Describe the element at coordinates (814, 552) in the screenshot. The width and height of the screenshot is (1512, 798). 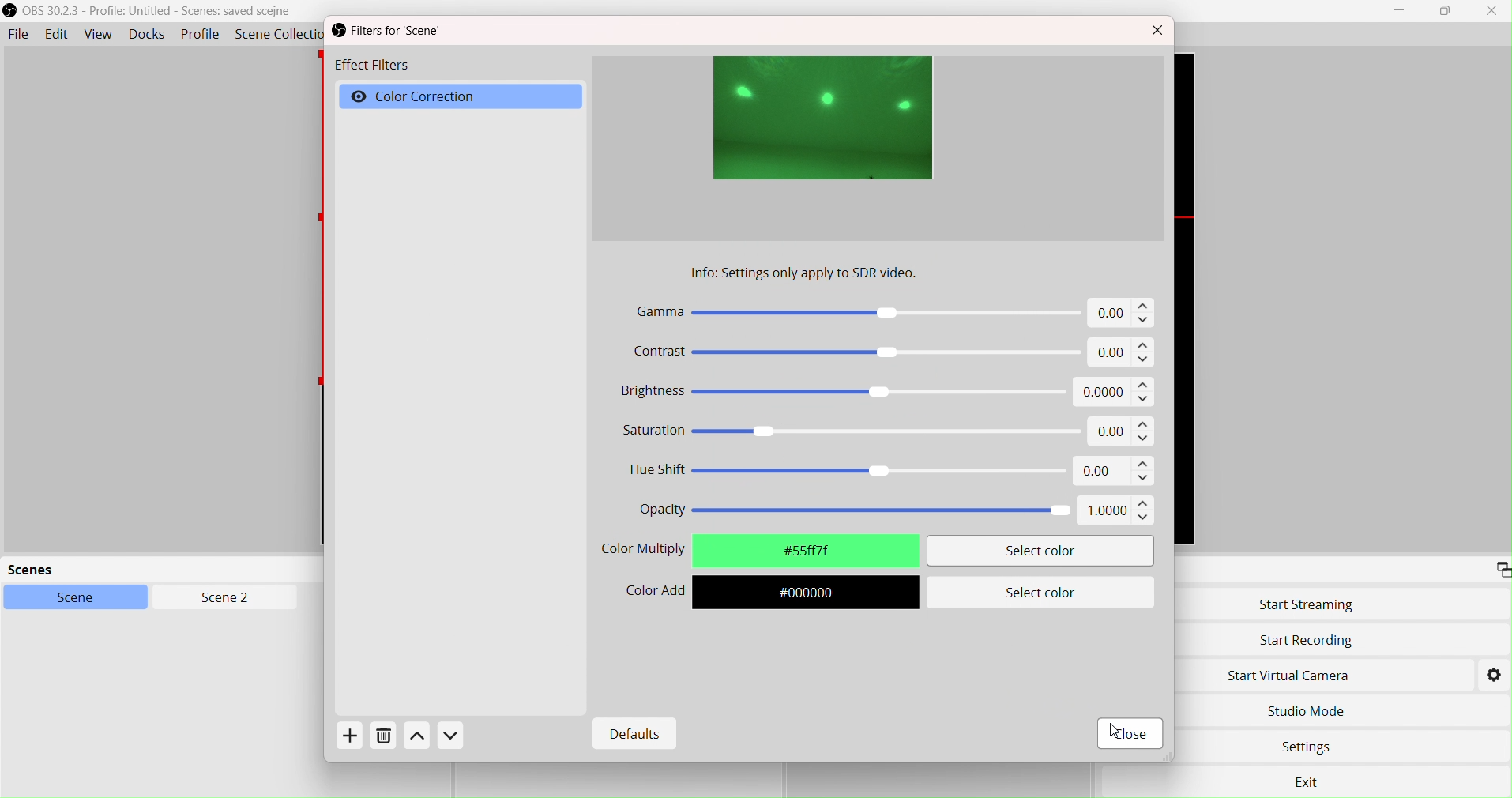
I see `#fffffff` at that location.